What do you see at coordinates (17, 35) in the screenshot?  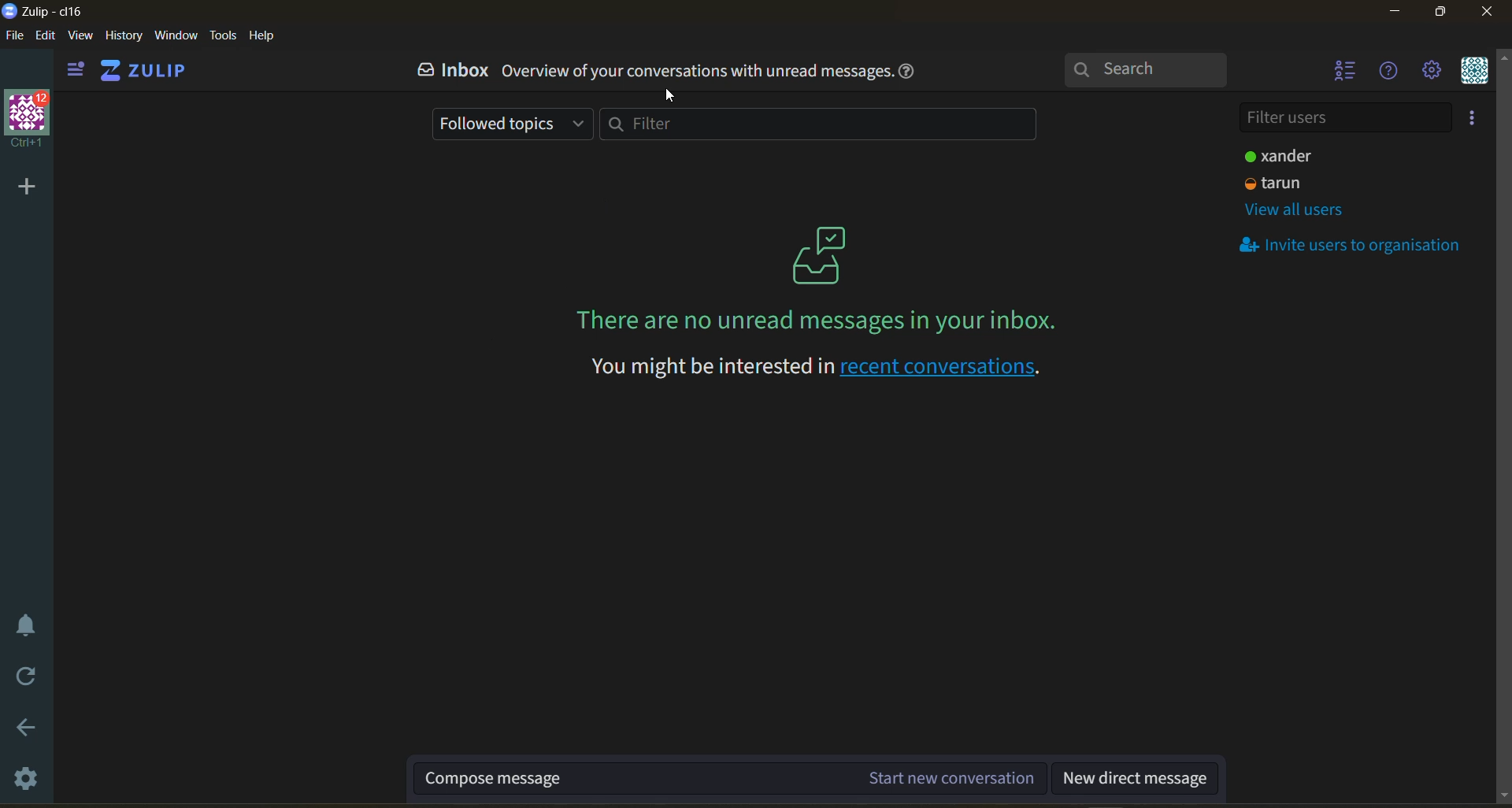 I see `file` at bounding box center [17, 35].